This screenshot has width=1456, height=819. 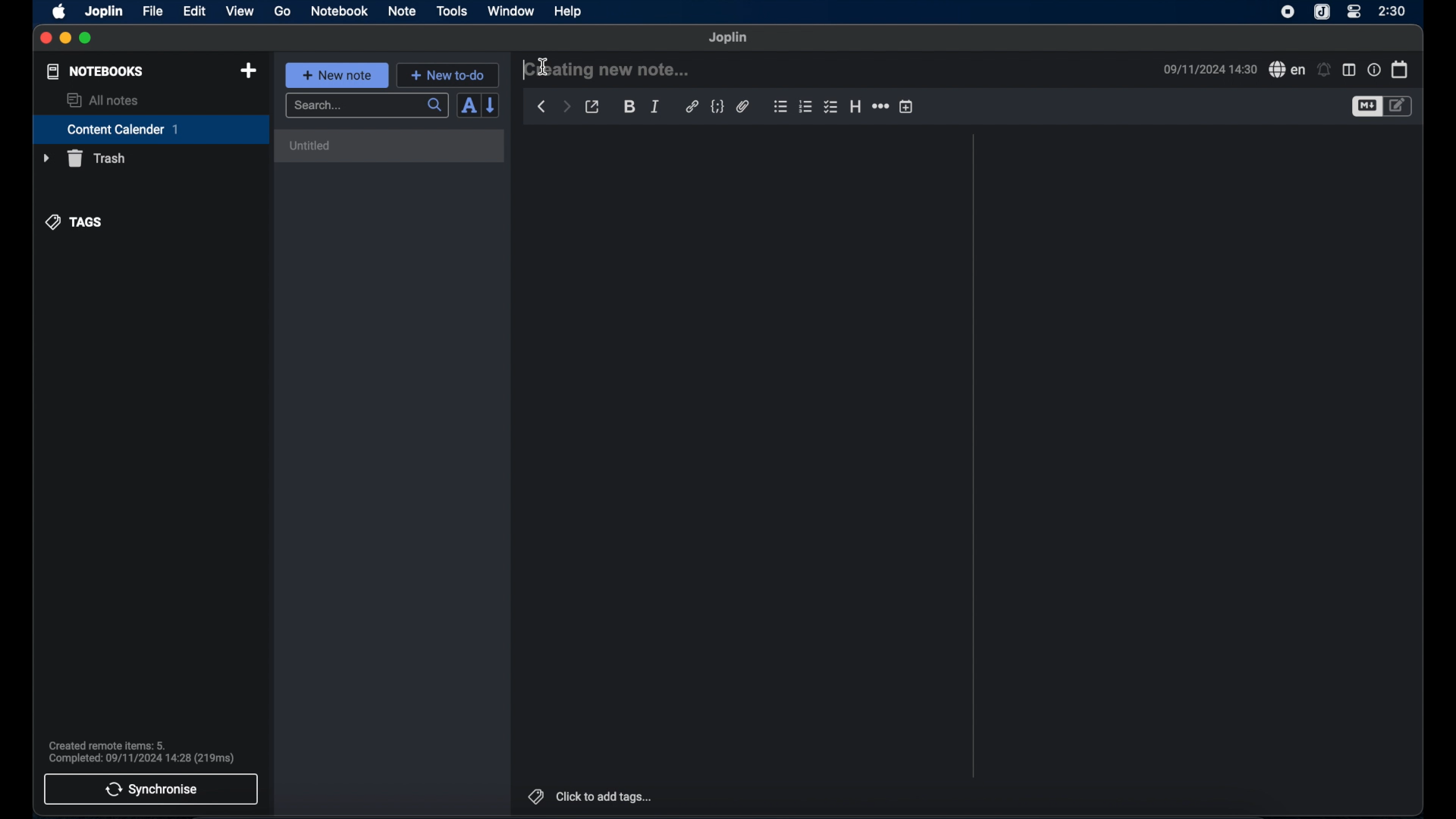 I want to click on file, so click(x=154, y=11).